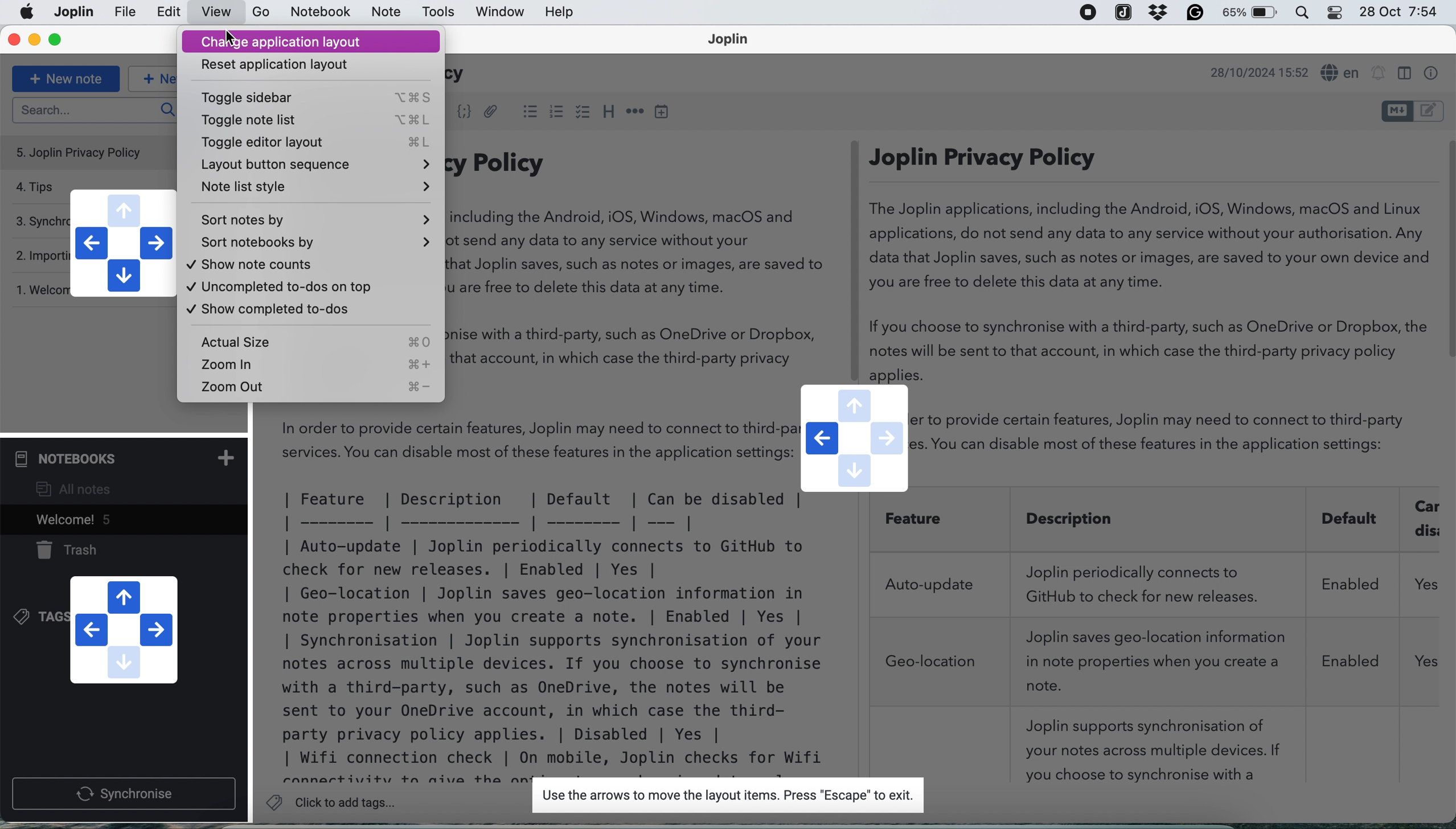 This screenshot has height=829, width=1456. I want to click on Layout button sequence, so click(314, 167).